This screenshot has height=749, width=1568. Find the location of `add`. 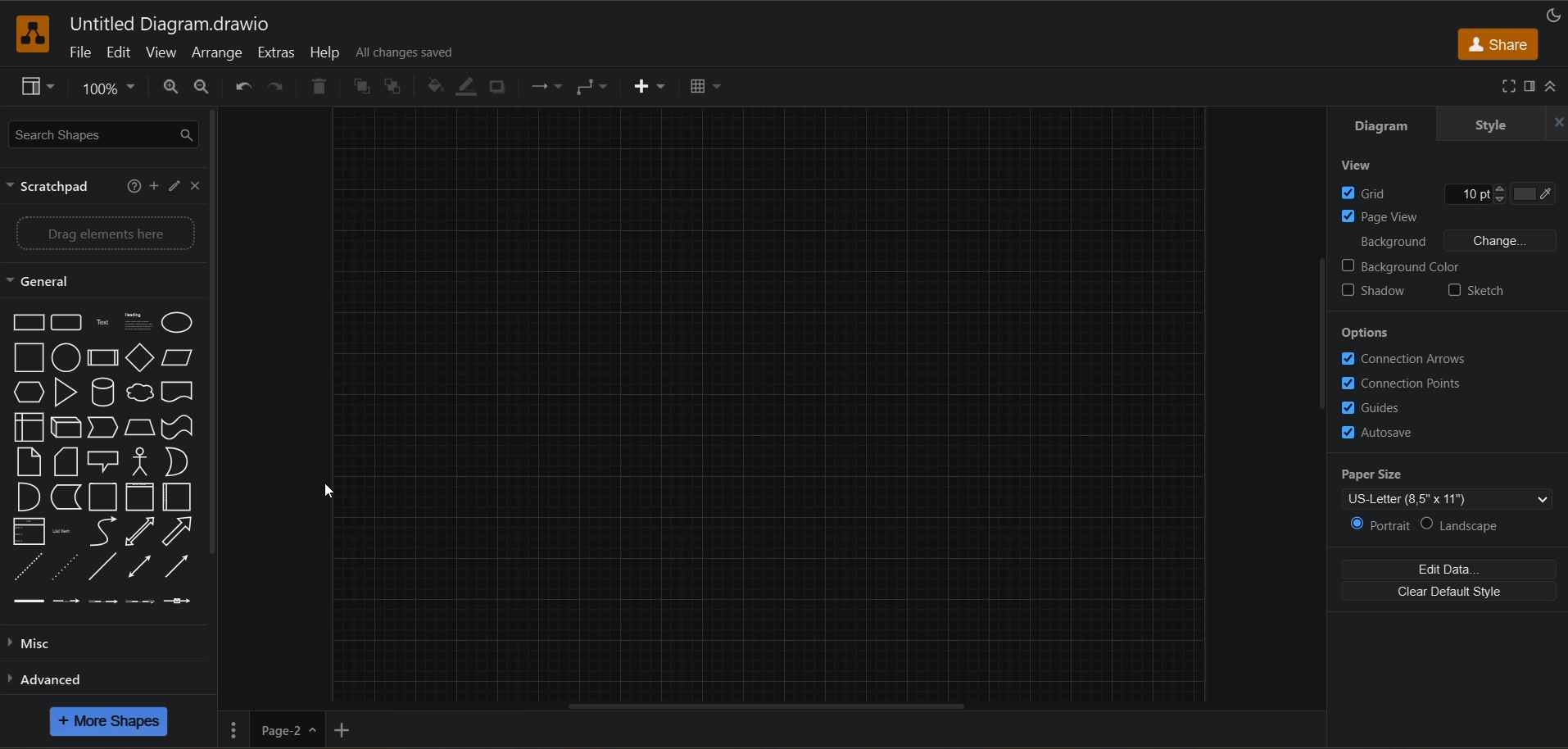

add is located at coordinates (152, 189).